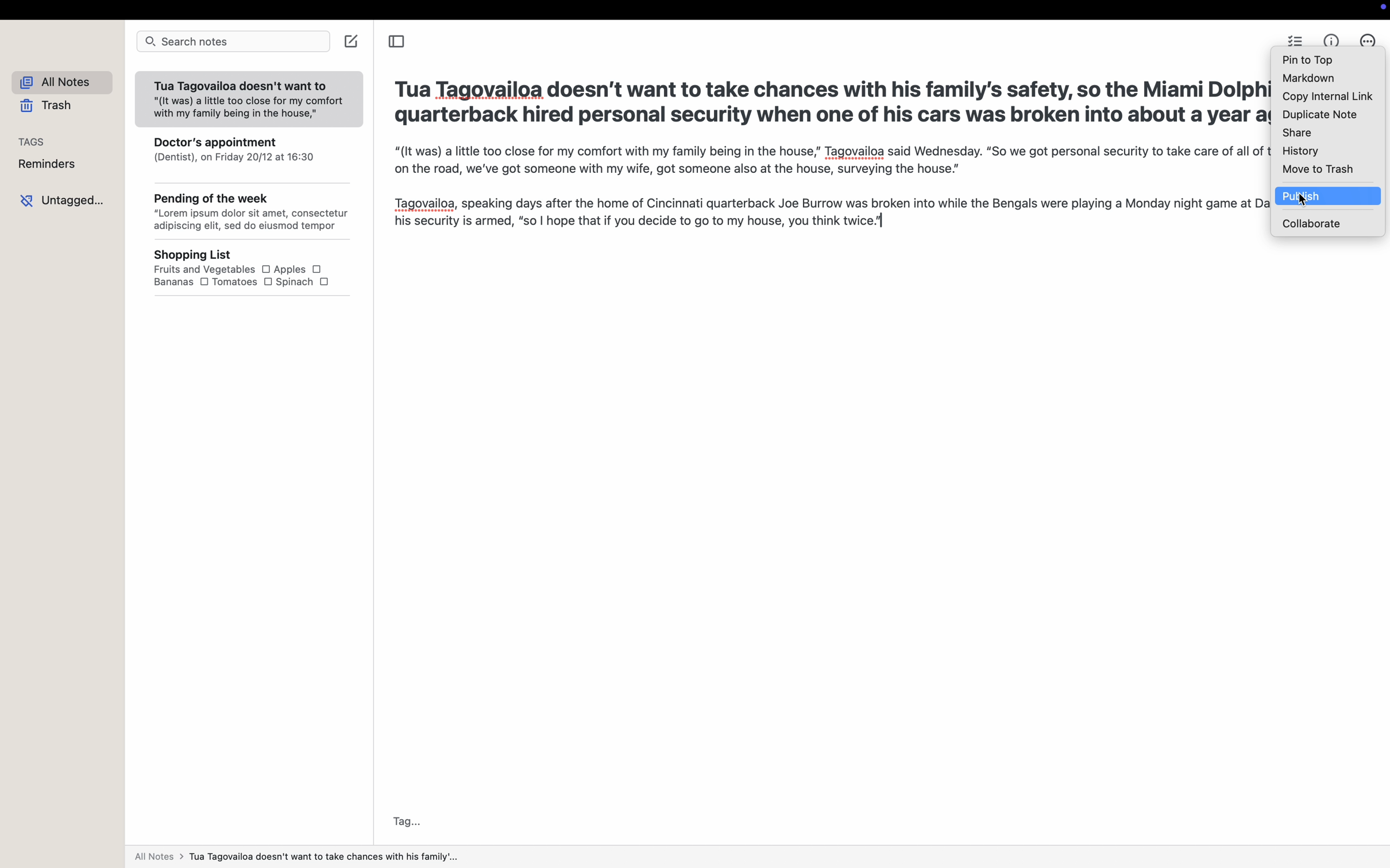 The image size is (1390, 868). What do you see at coordinates (353, 41) in the screenshot?
I see `create note` at bounding box center [353, 41].